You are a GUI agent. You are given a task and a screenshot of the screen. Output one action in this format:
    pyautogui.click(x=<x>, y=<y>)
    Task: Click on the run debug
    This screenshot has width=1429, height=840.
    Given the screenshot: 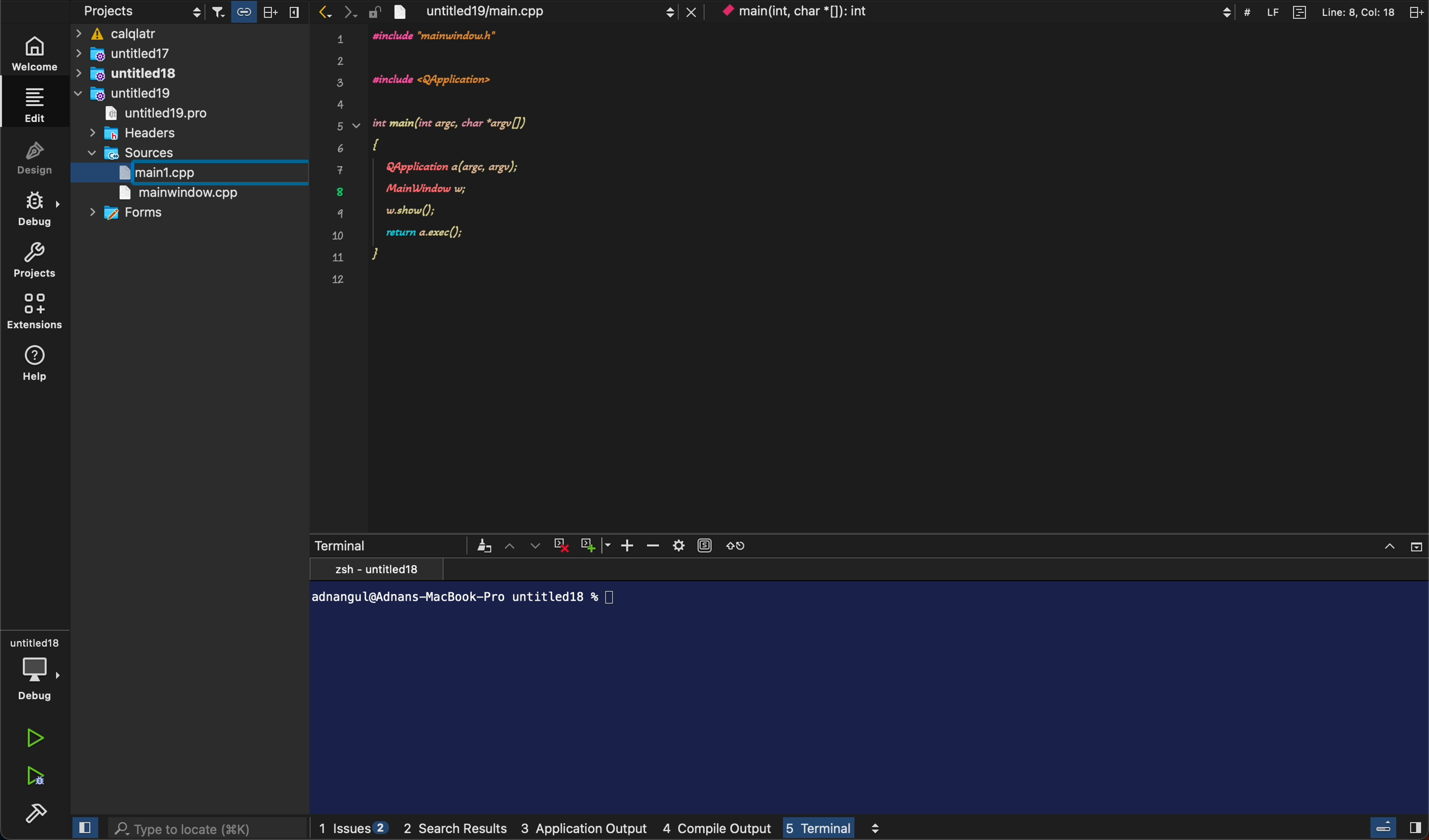 What is the action you would take?
    pyautogui.click(x=33, y=778)
    